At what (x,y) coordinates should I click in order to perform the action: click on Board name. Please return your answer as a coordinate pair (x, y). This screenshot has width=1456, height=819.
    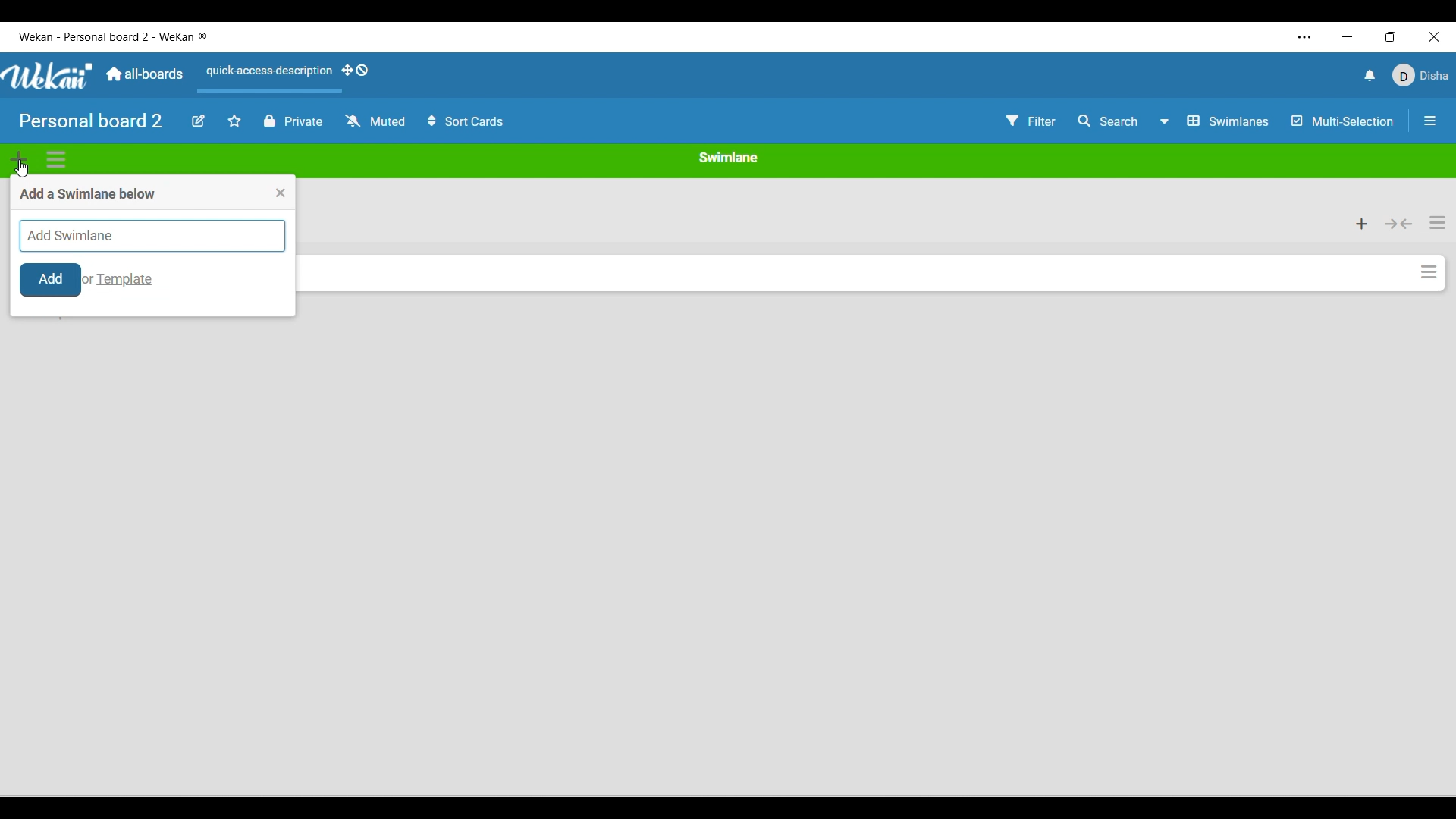
    Looking at the image, I should click on (91, 121).